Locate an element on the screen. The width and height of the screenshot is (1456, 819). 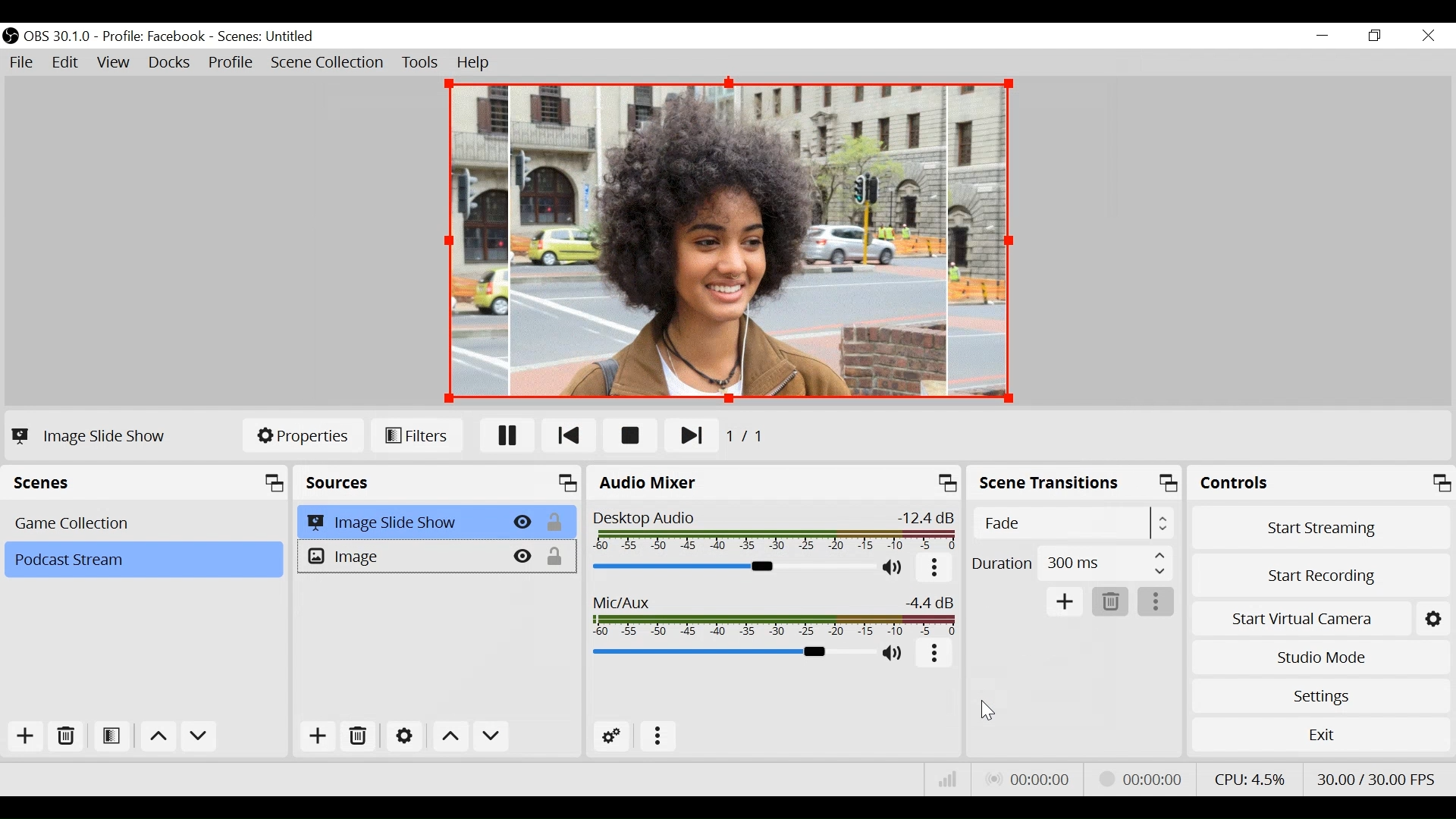
Move down is located at coordinates (490, 738).